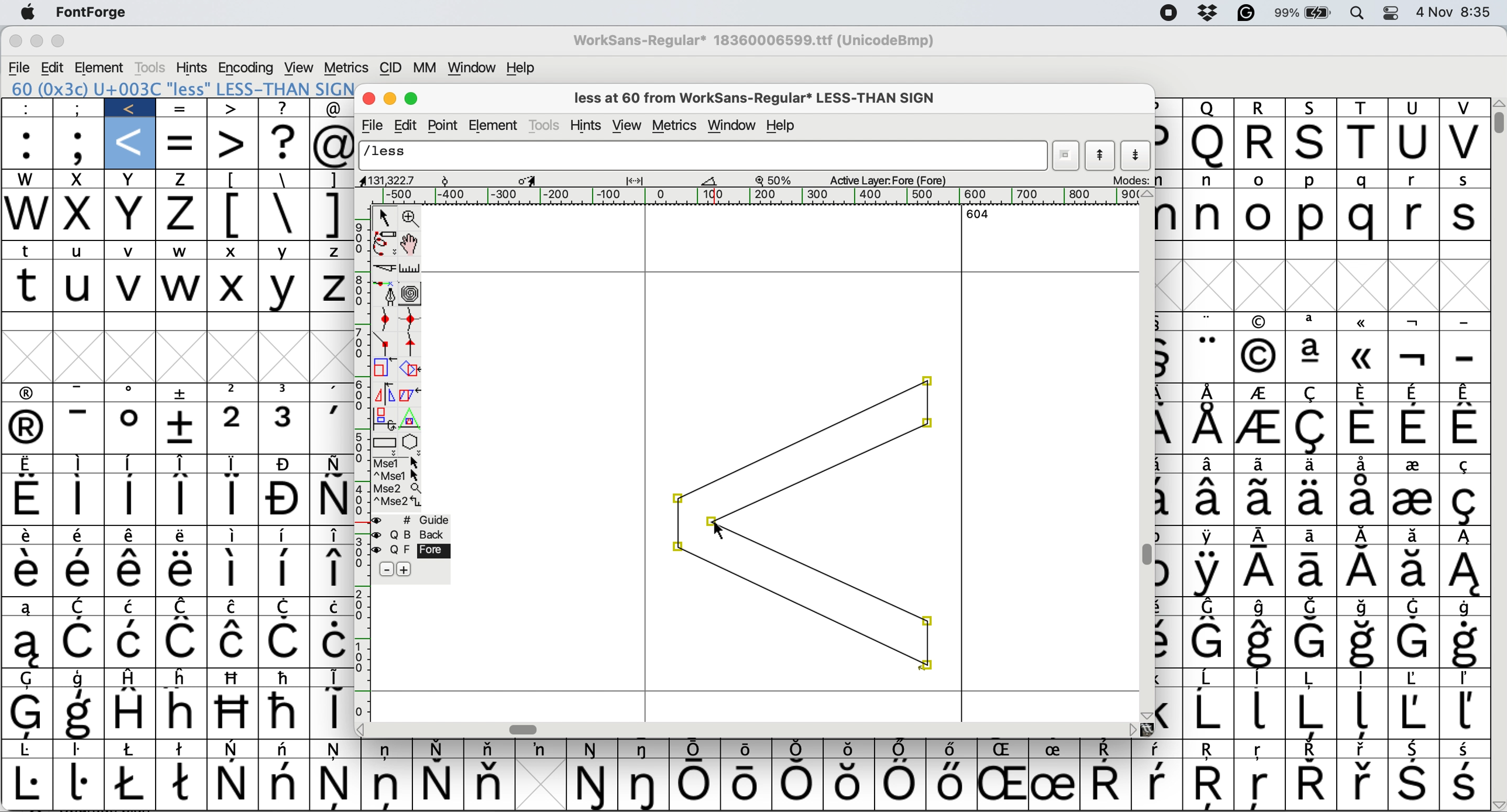 This screenshot has width=1507, height=812. I want to click on Symbol, so click(1361, 713).